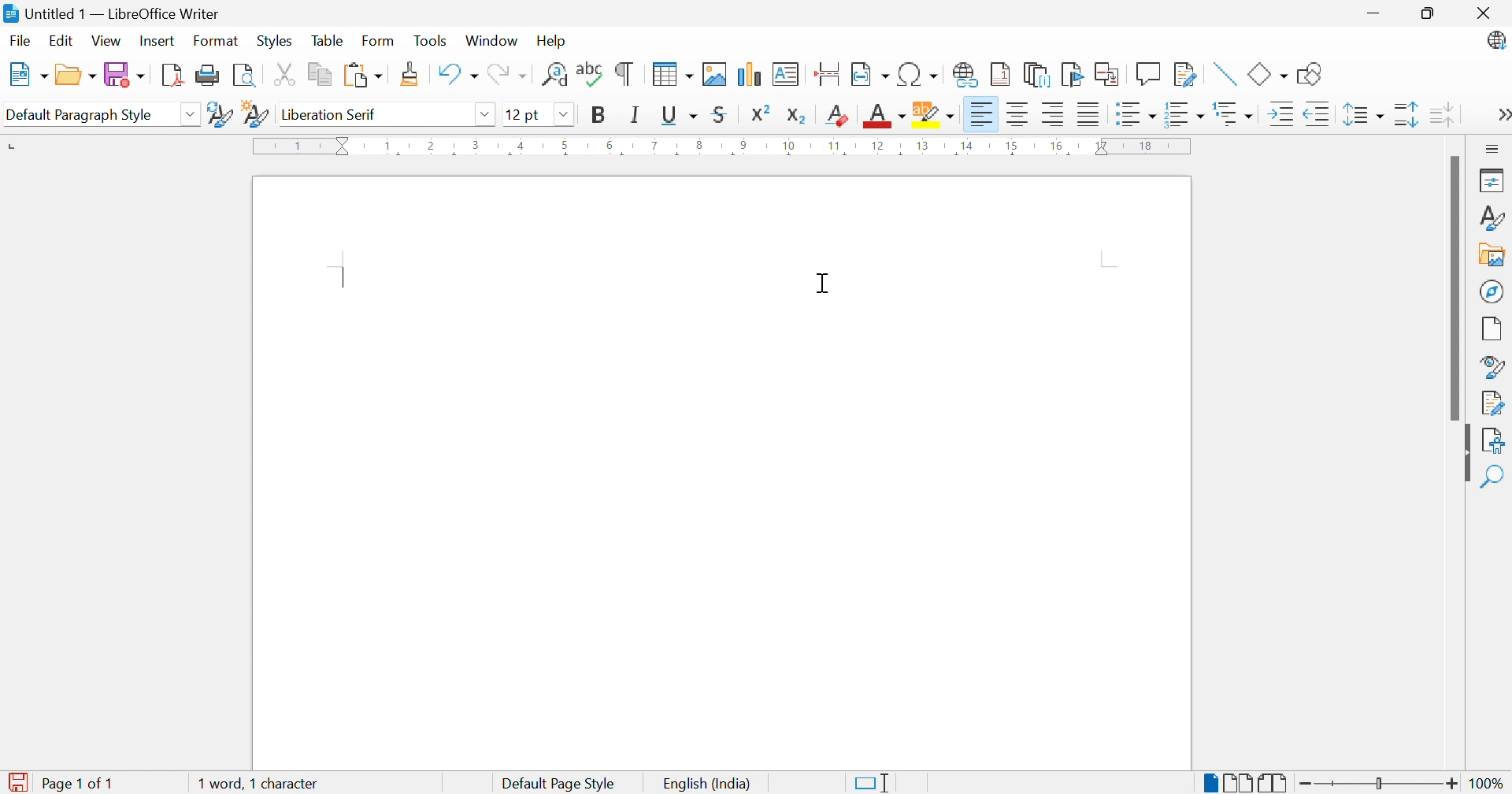 This screenshot has width=1512, height=794. I want to click on Liberation Serif, so click(332, 115).